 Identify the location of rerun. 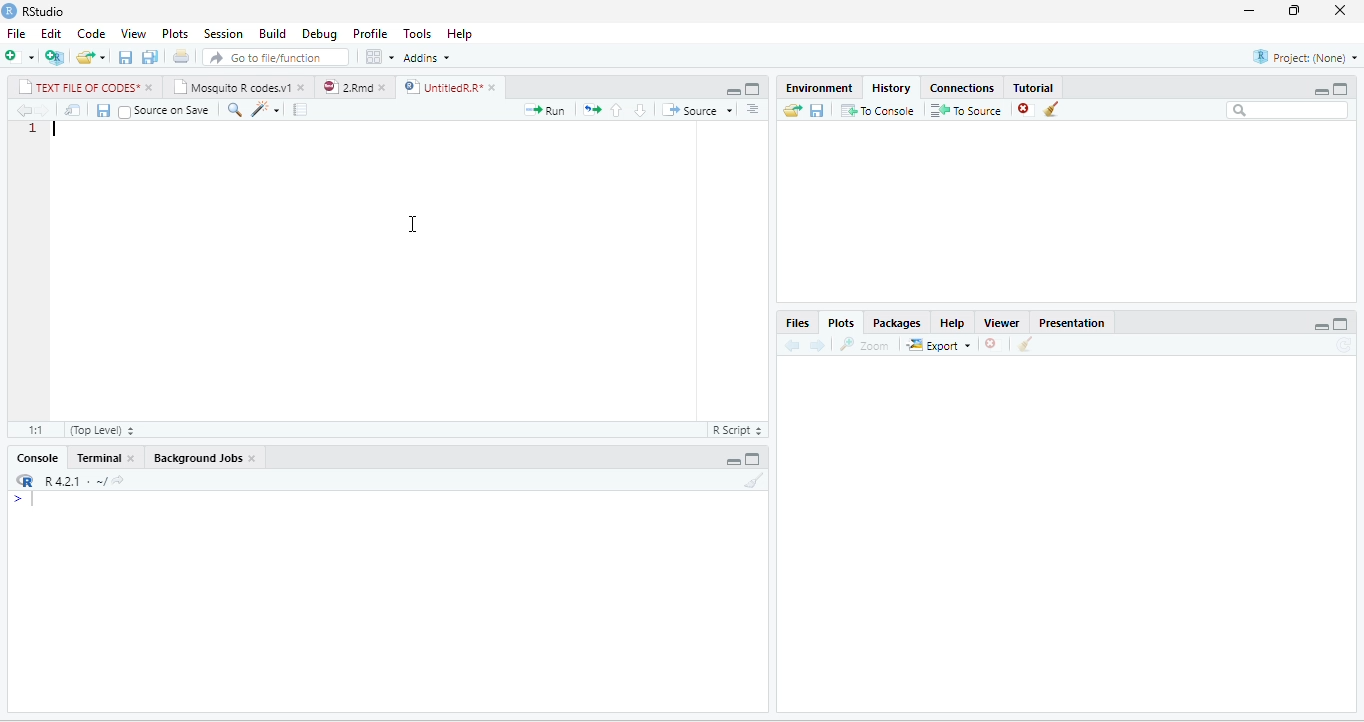
(591, 109).